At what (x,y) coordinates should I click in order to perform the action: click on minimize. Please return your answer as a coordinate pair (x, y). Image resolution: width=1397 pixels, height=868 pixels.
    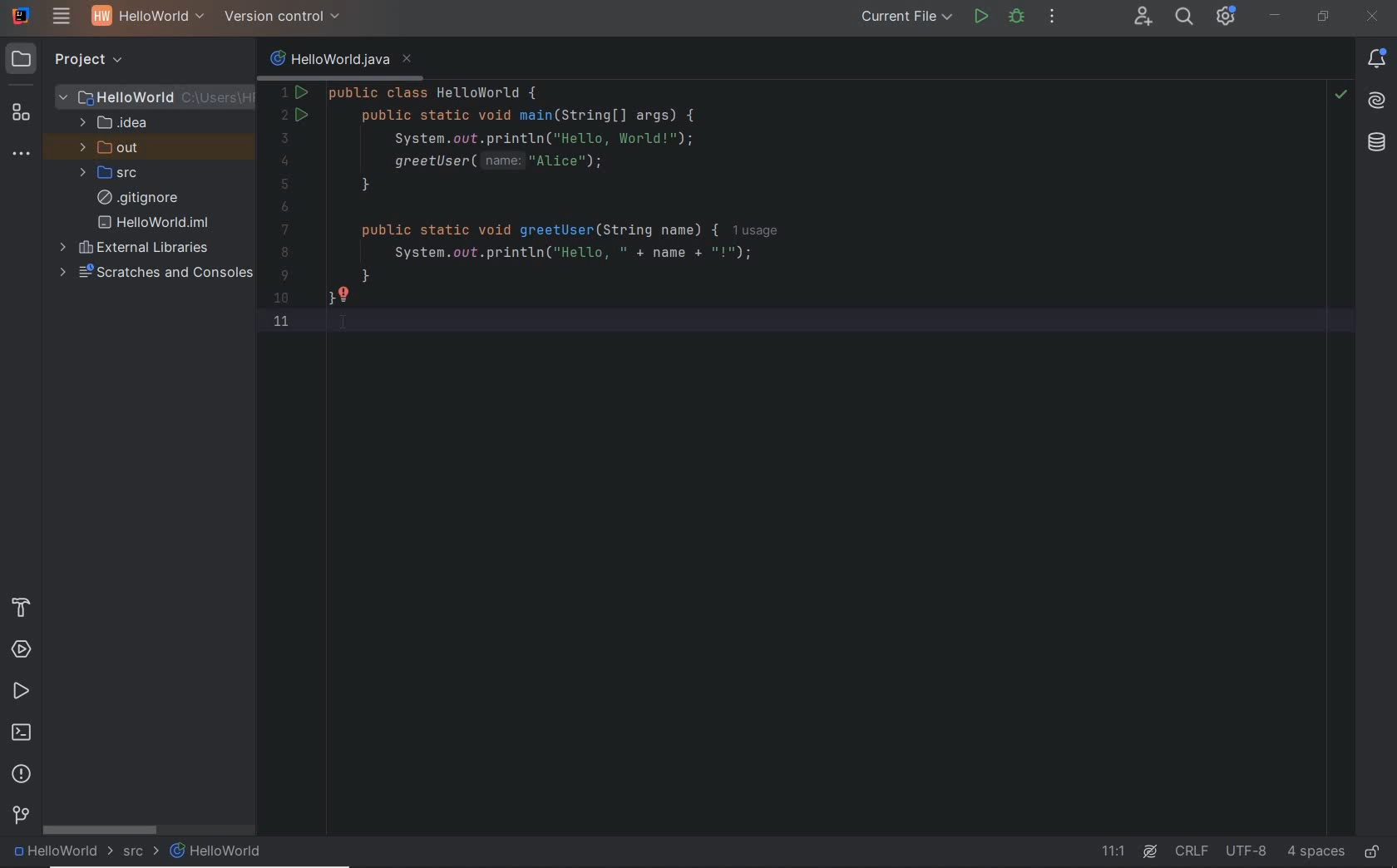
    Looking at the image, I should click on (1276, 17).